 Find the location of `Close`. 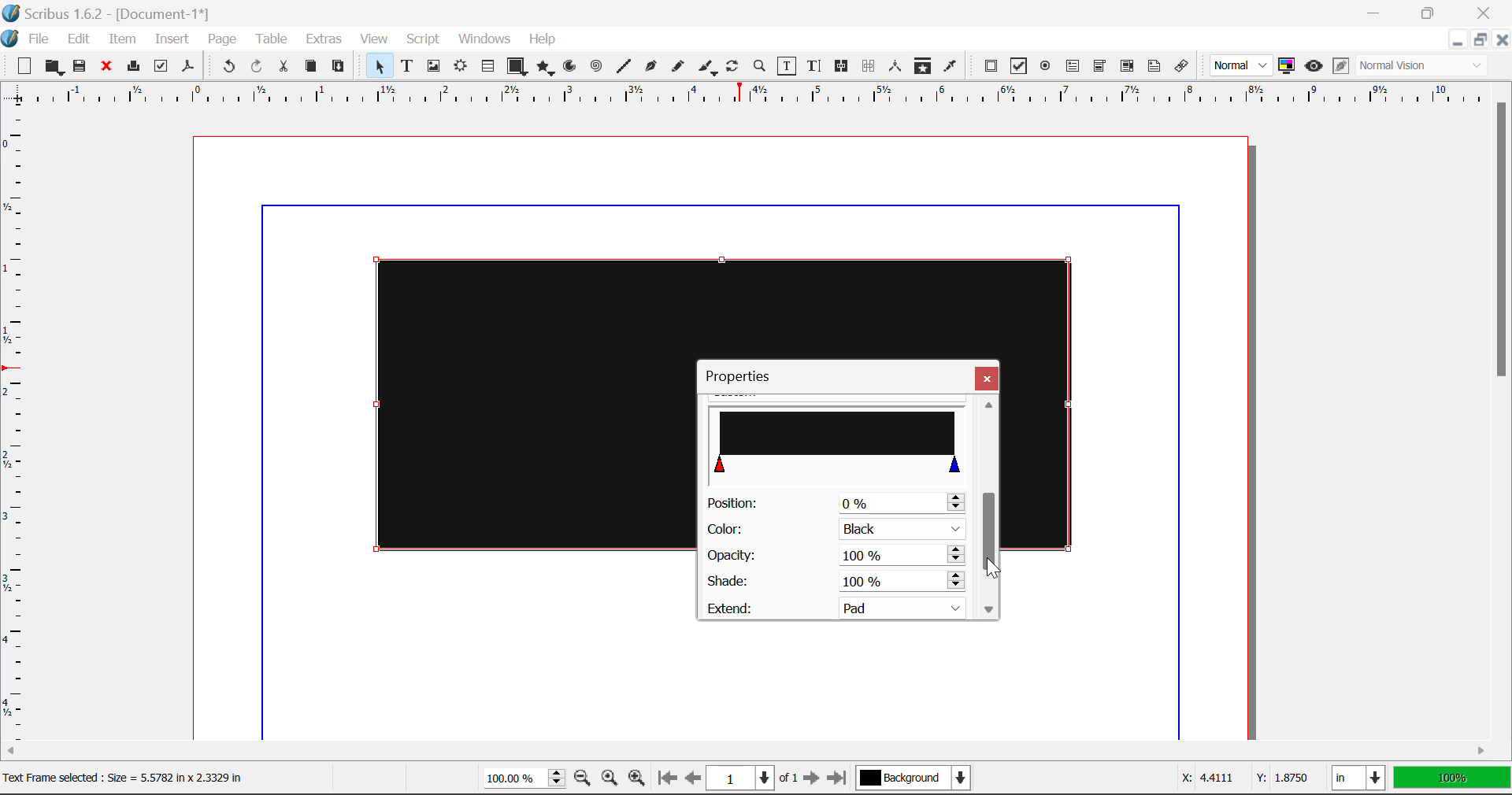

Close is located at coordinates (987, 378).